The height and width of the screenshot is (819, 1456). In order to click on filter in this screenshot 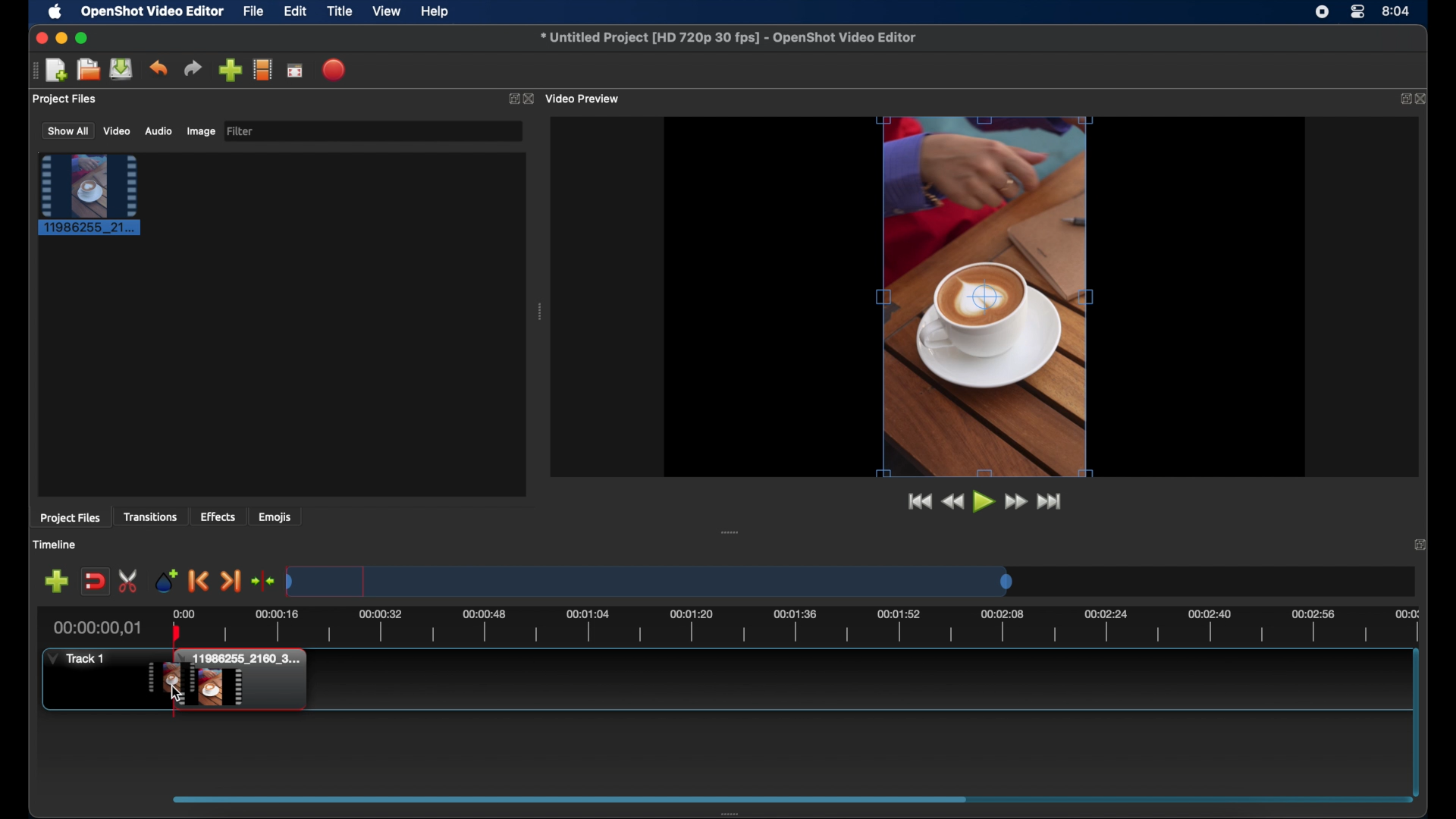, I will do `click(241, 131)`.